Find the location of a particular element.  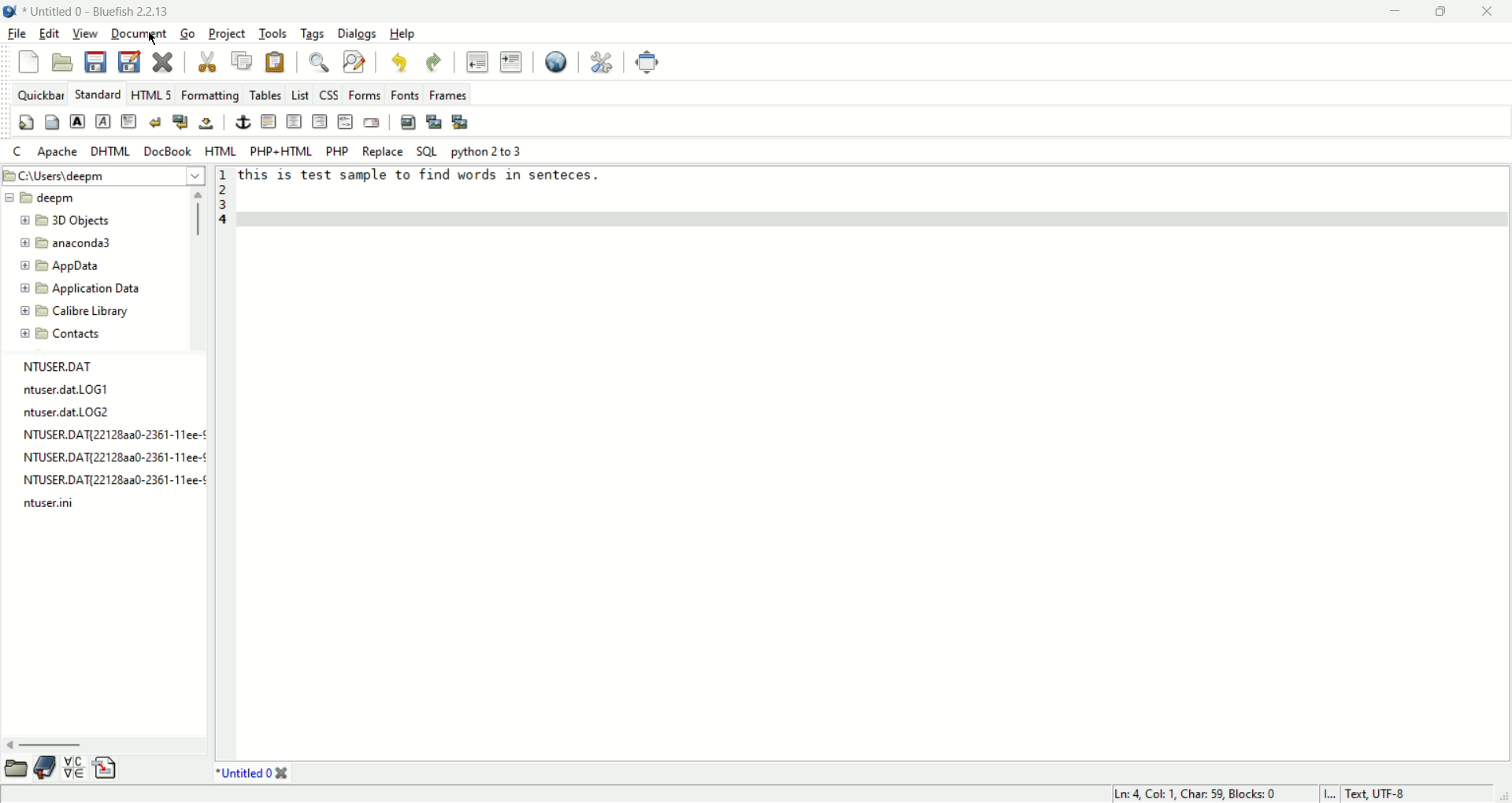

indent is located at coordinates (513, 61).